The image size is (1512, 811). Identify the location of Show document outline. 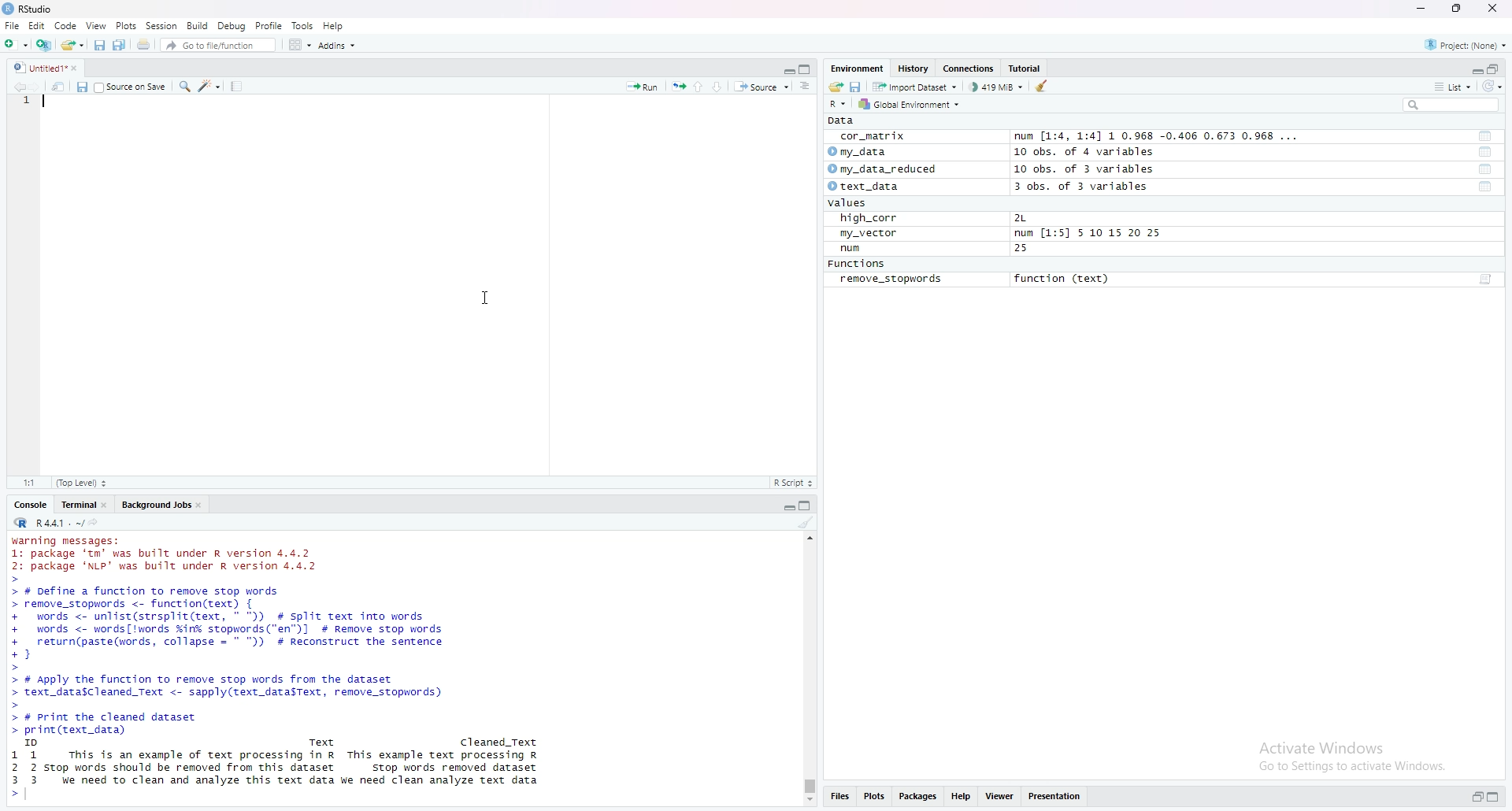
(804, 85).